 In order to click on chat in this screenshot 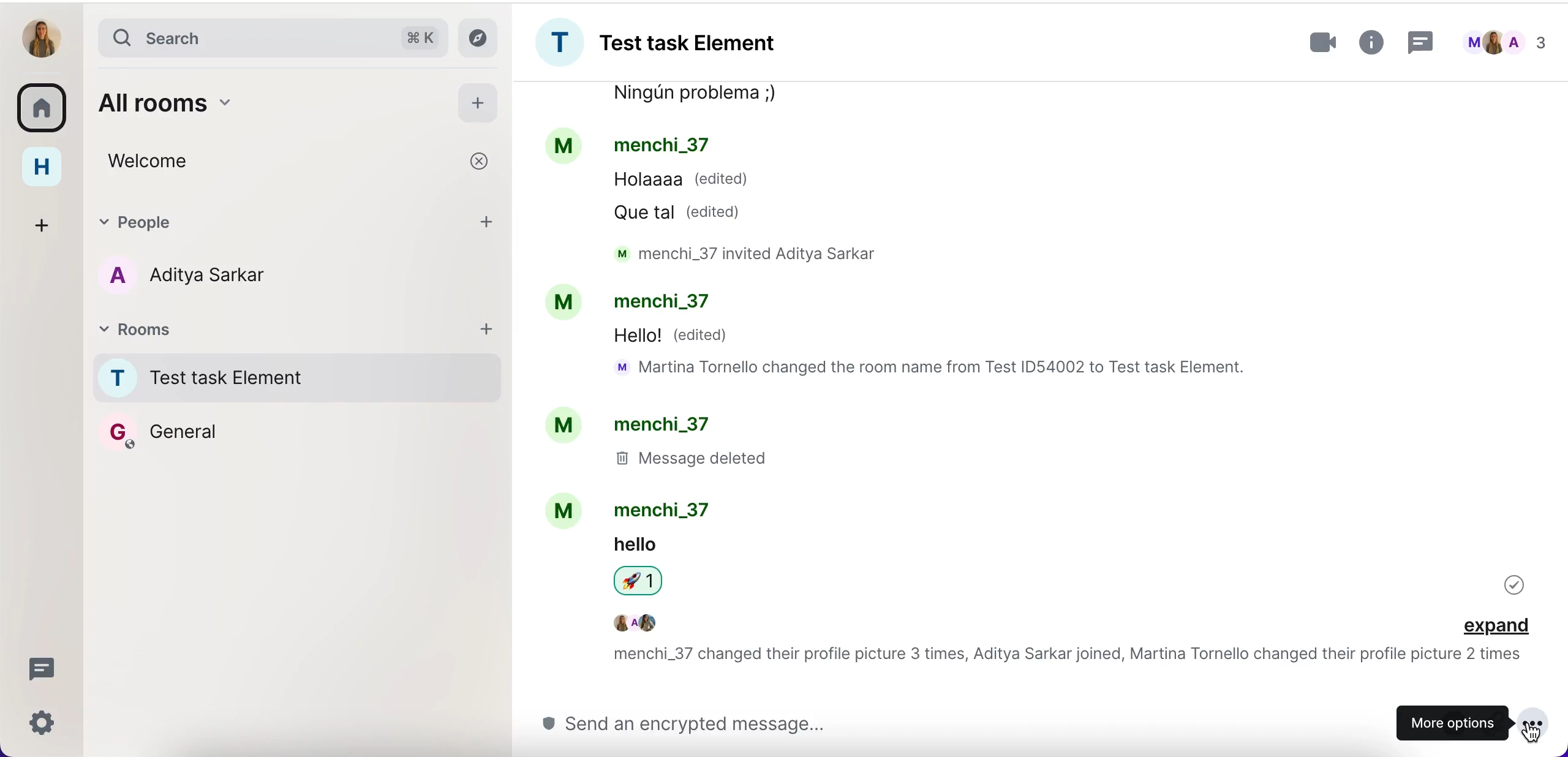, I will do `click(947, 388)`.